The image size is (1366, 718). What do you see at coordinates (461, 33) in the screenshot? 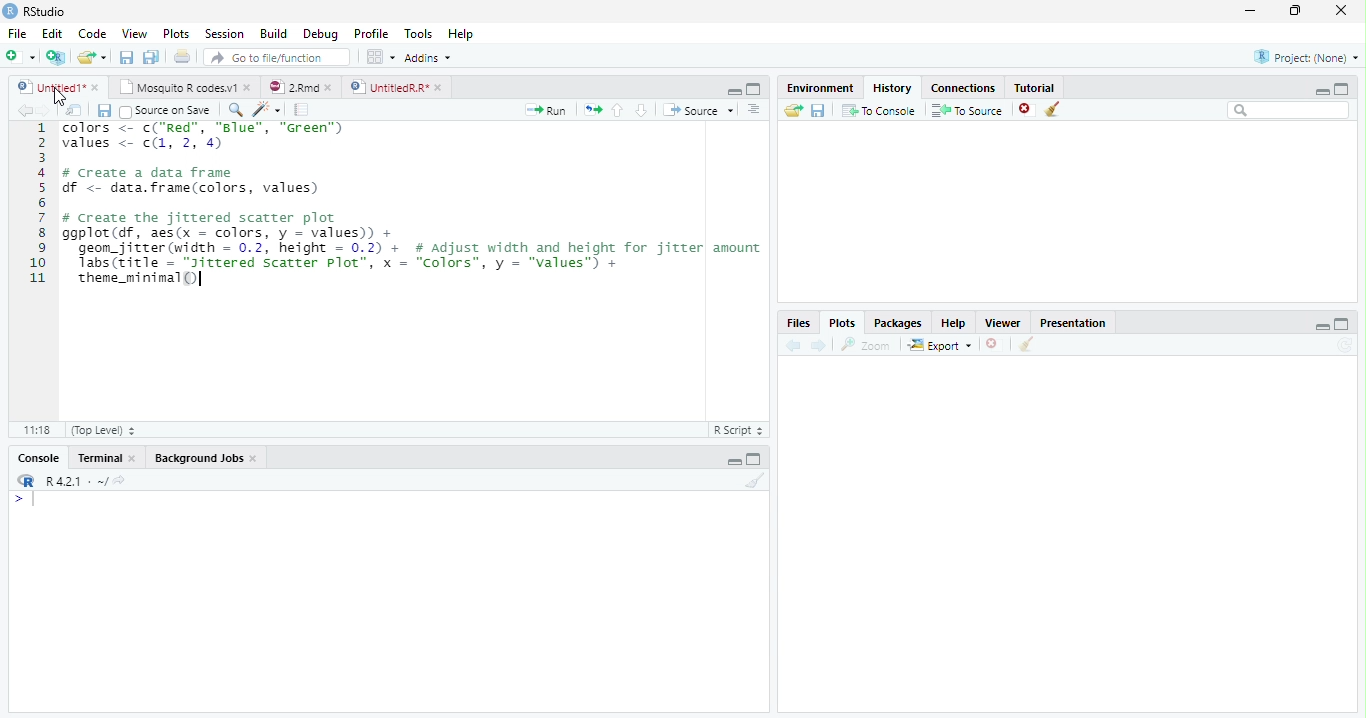
I see `Help` at bounding box center [461, 33].